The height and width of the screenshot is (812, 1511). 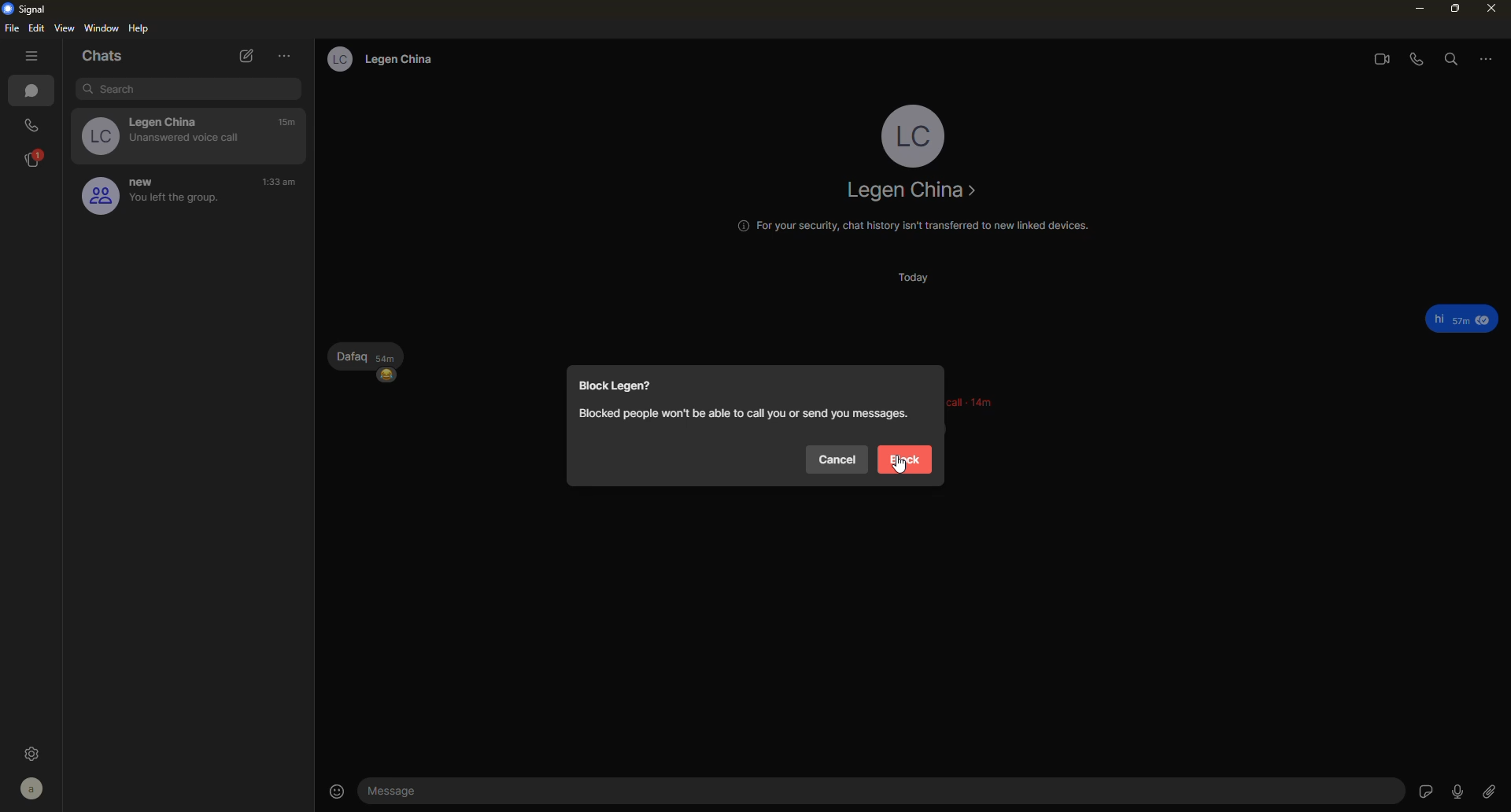 I want to click on profile pic, so click(x=913, y=135).